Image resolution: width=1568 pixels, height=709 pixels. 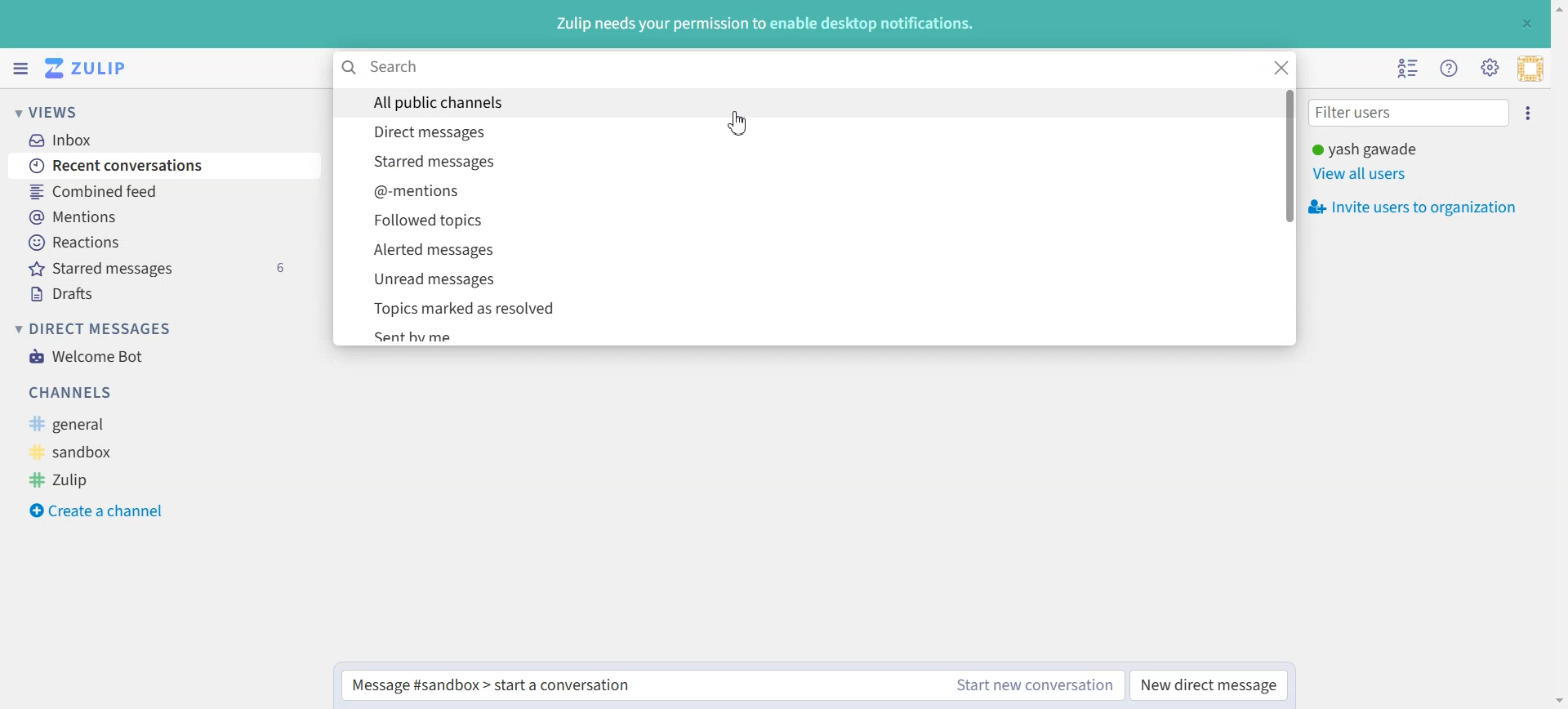 What do you see at coordinates (87, 355) in the screenshot?
I see `Welcome Bot` at bounding box center [87, 355].